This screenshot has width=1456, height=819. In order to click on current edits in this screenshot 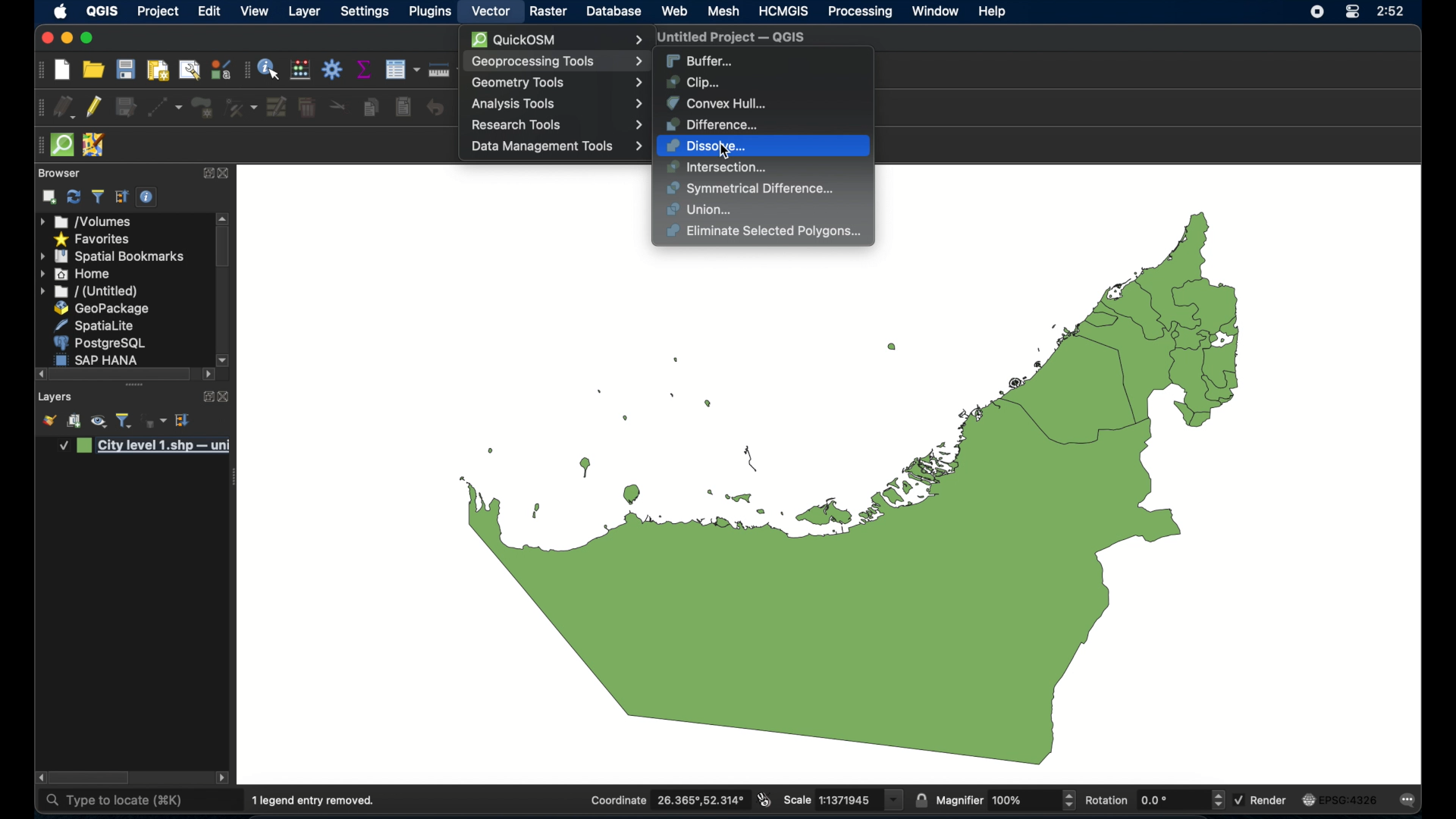, I will do `click(64, 107)`.